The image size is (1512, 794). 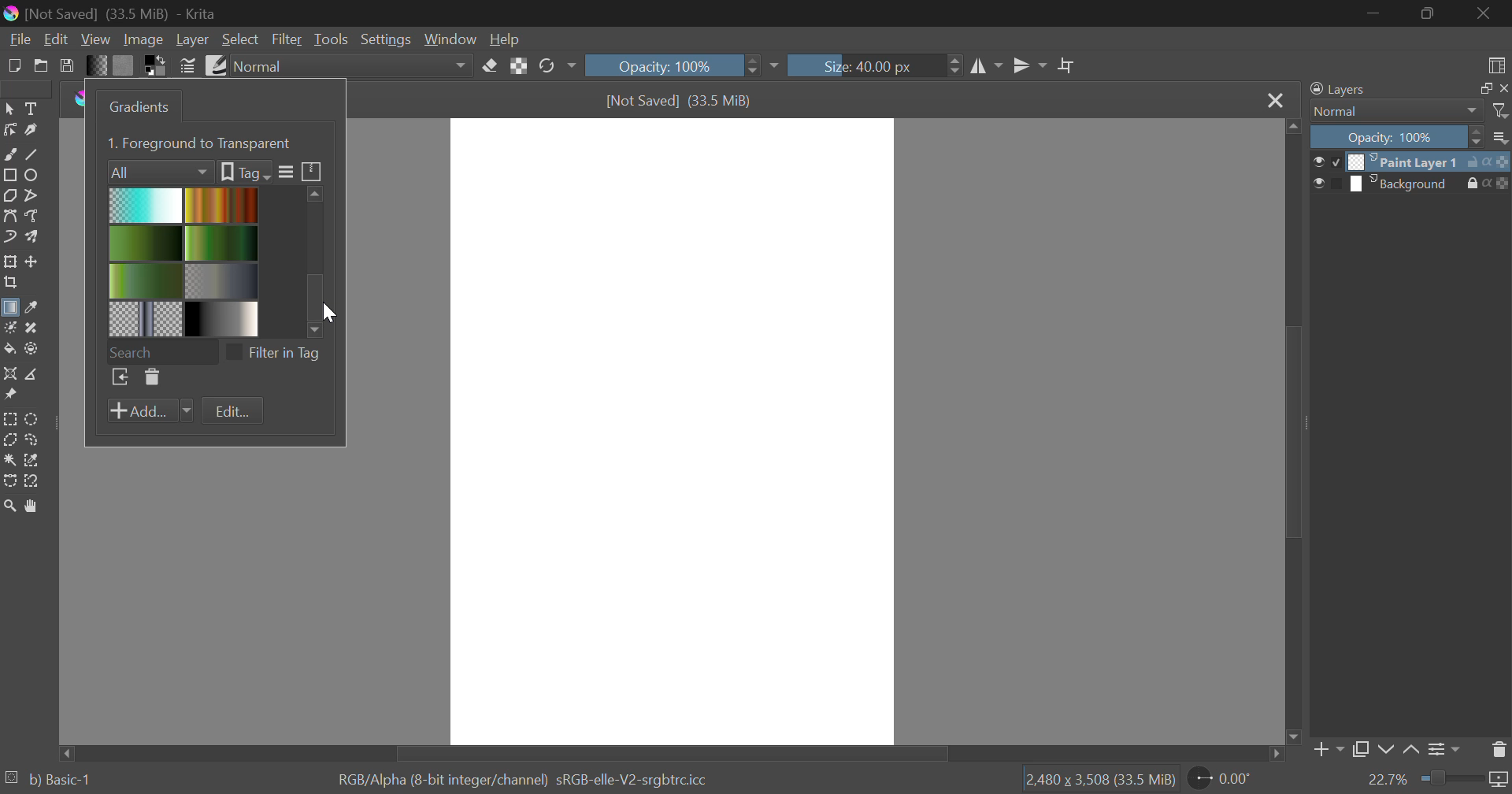 I want to click on New, so click(x=13, y=64).